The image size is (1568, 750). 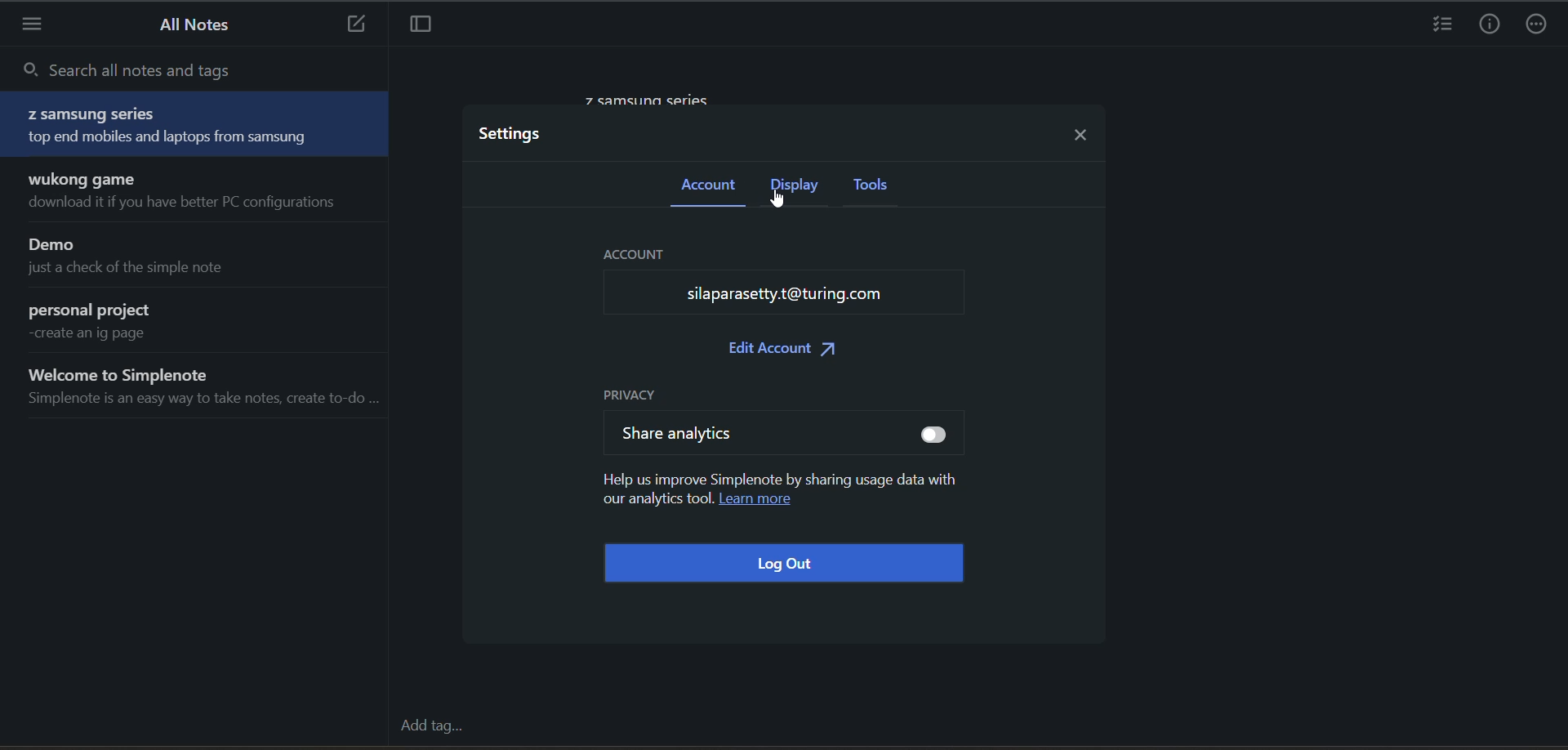 I want to click on silaparasetty.t@turing.com, so click(x=793, y=295).